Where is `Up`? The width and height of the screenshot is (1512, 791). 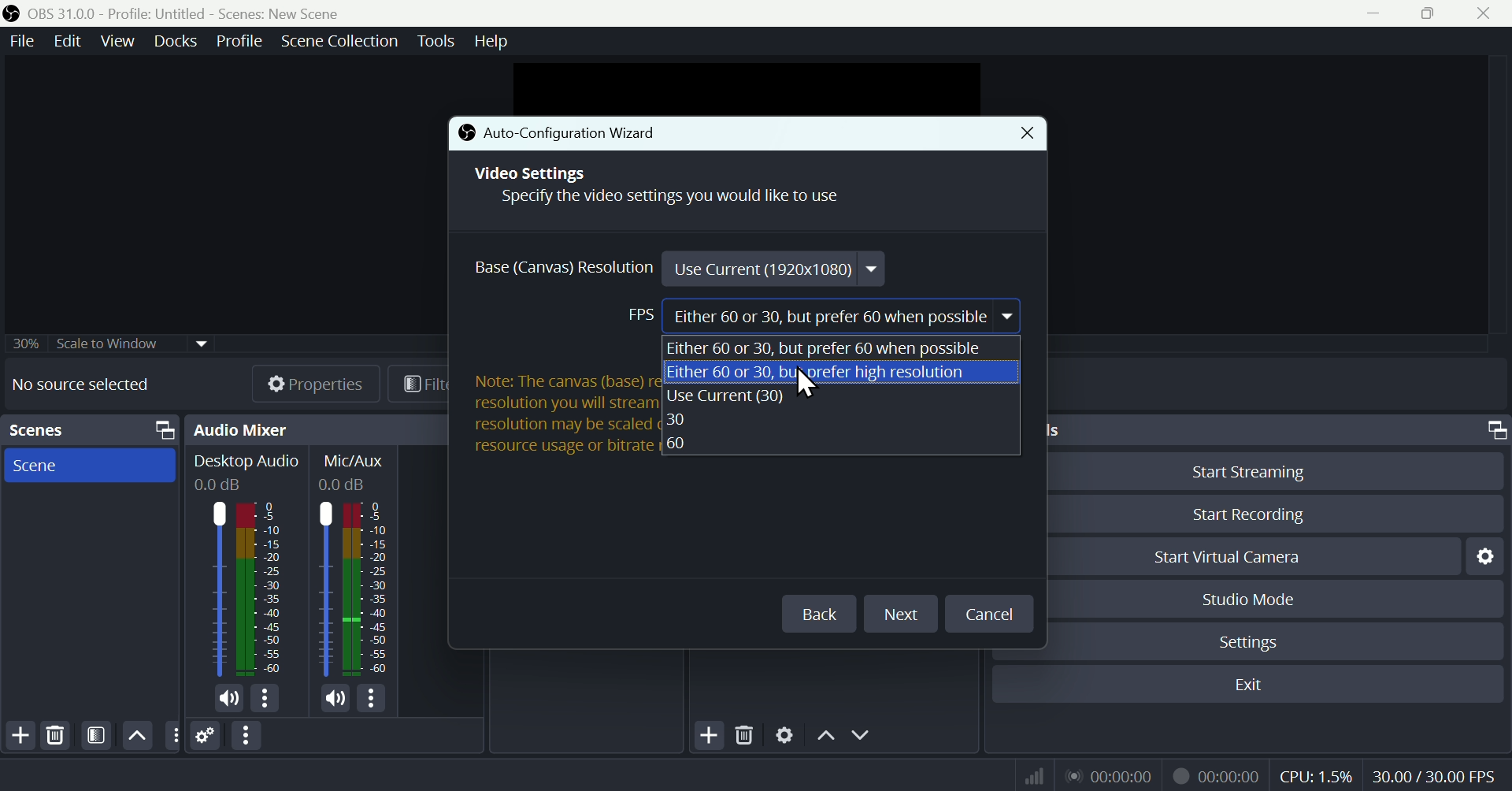
Up is located at coordinates (825, 734).